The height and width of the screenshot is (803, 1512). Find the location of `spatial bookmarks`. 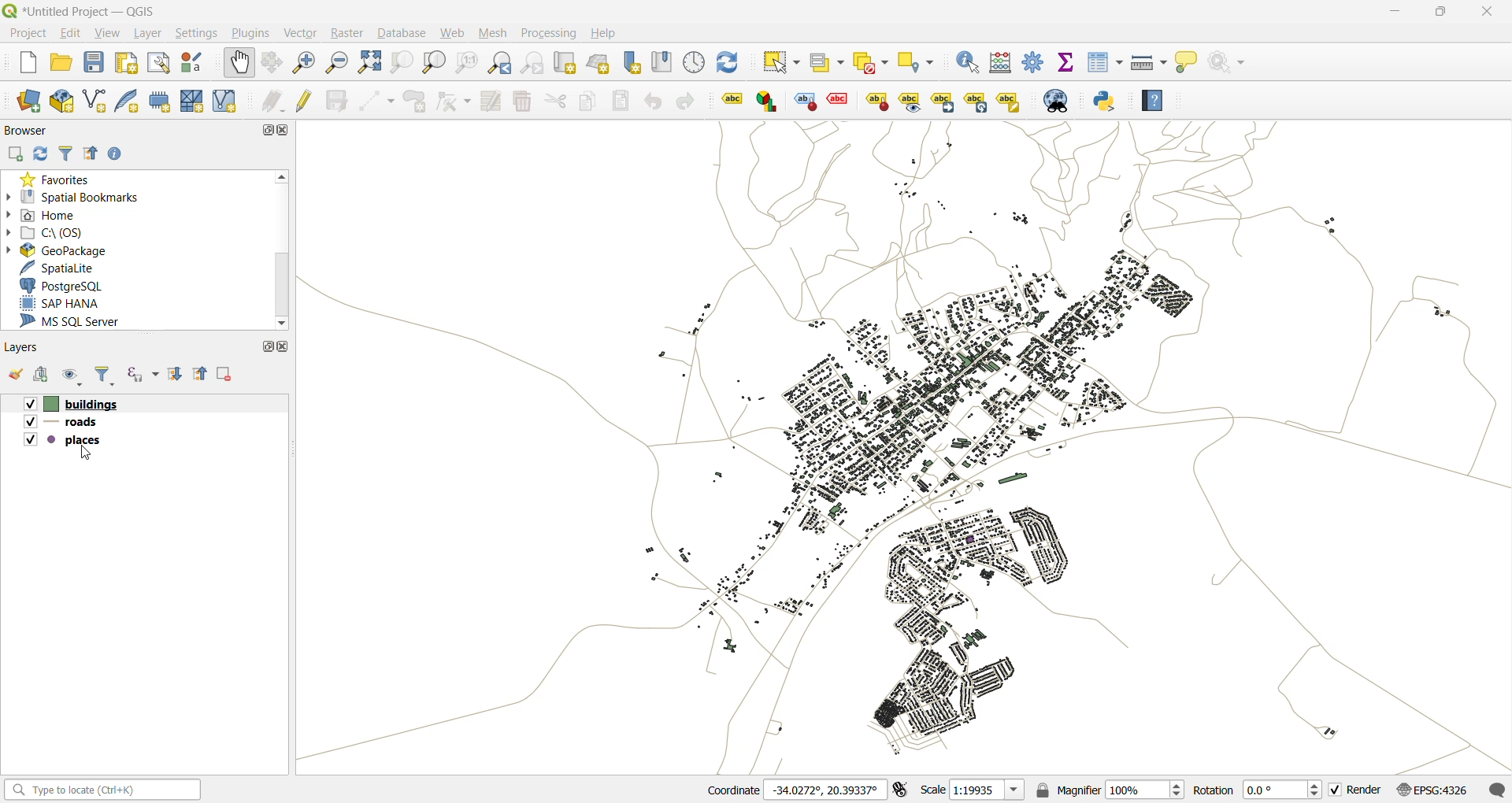

spatial bookmarks is located at coordinates (81, 197).